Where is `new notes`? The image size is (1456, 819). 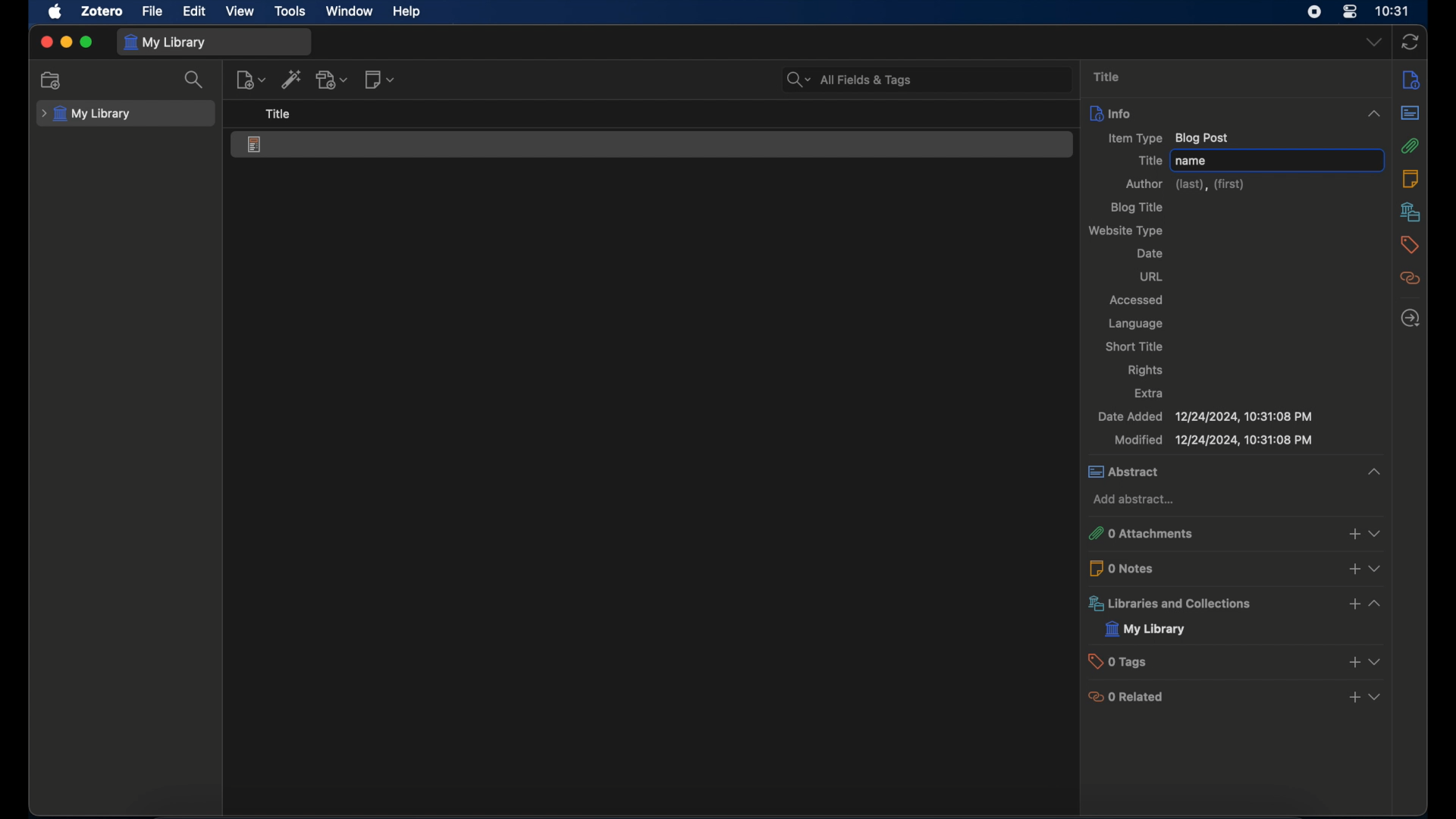
new notes is located at coordinates (379, 79).